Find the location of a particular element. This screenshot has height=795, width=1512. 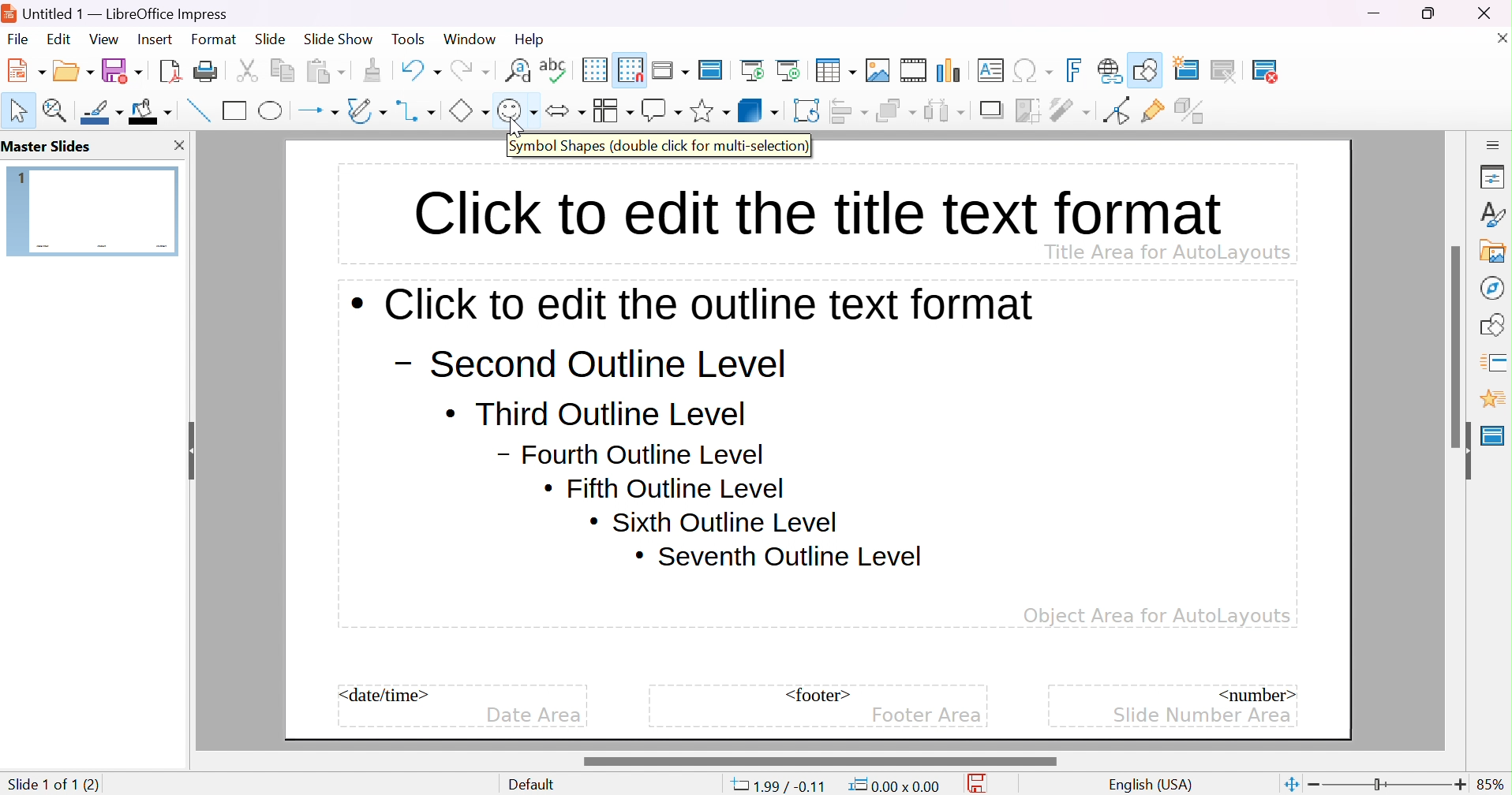

insert fontwork text is located at coordinates (1076, 70).